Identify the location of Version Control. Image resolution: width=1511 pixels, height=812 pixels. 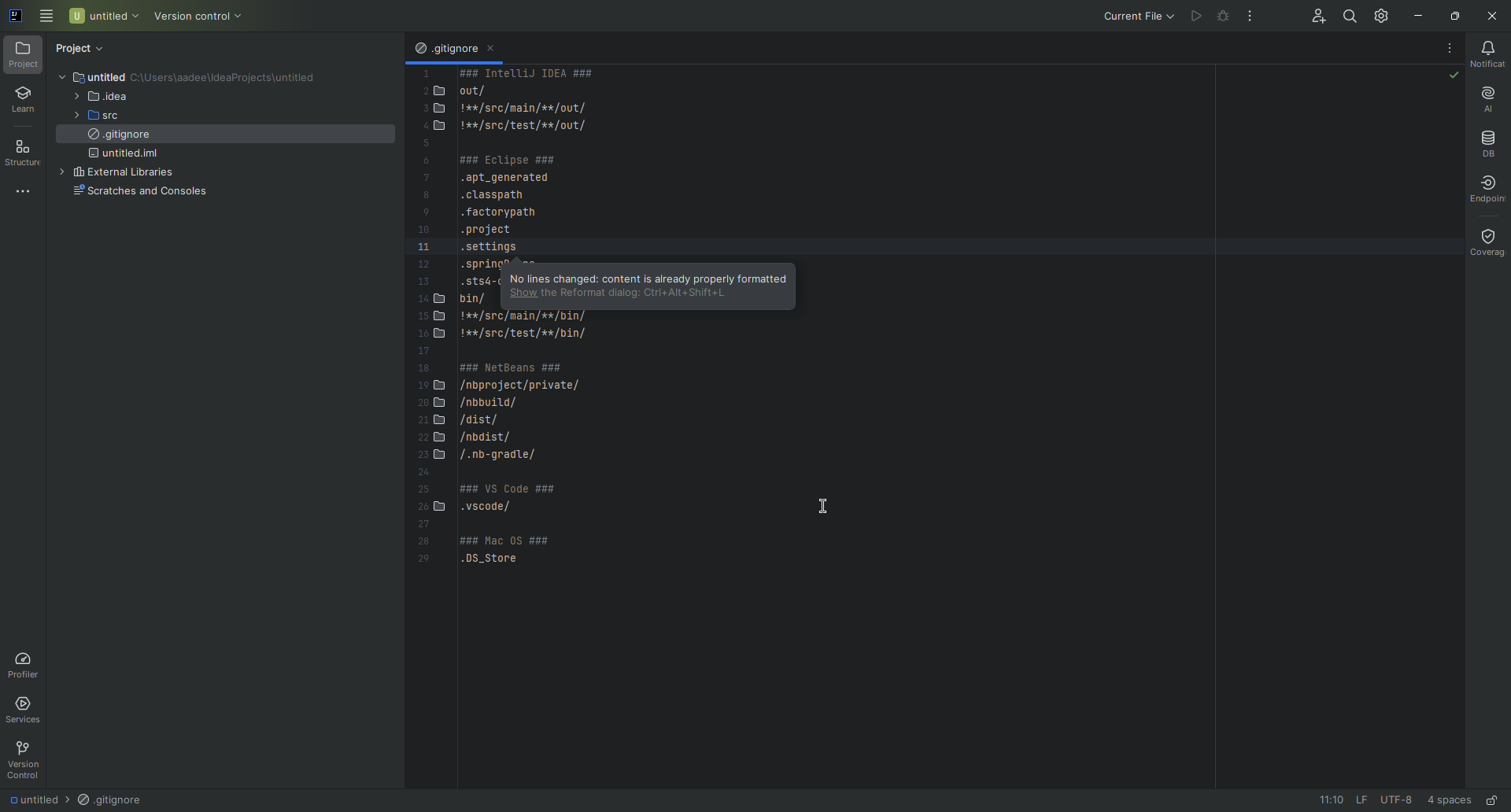
(24, 758).